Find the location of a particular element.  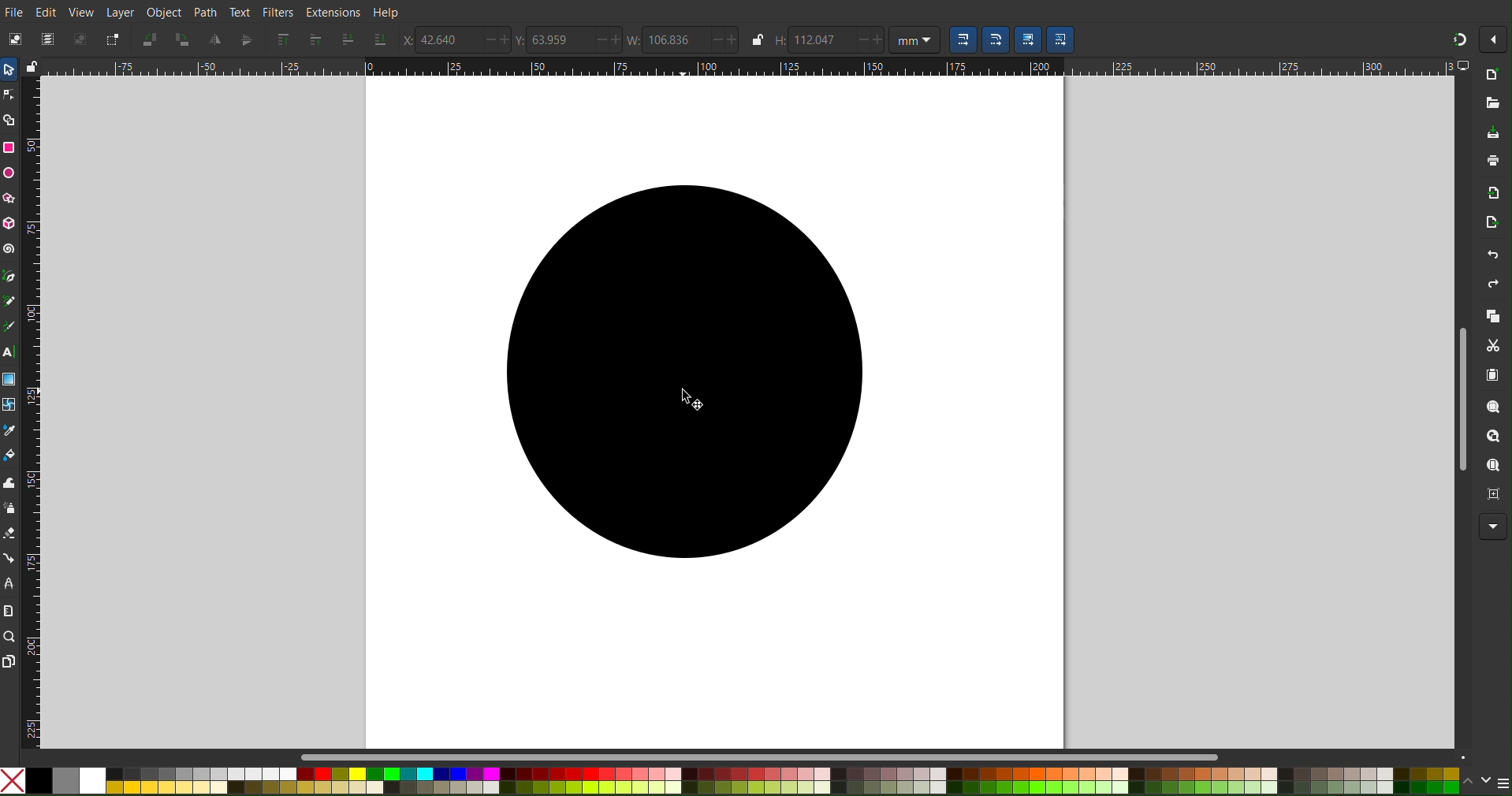

increase/decrease is located at coordinates (725, 39).